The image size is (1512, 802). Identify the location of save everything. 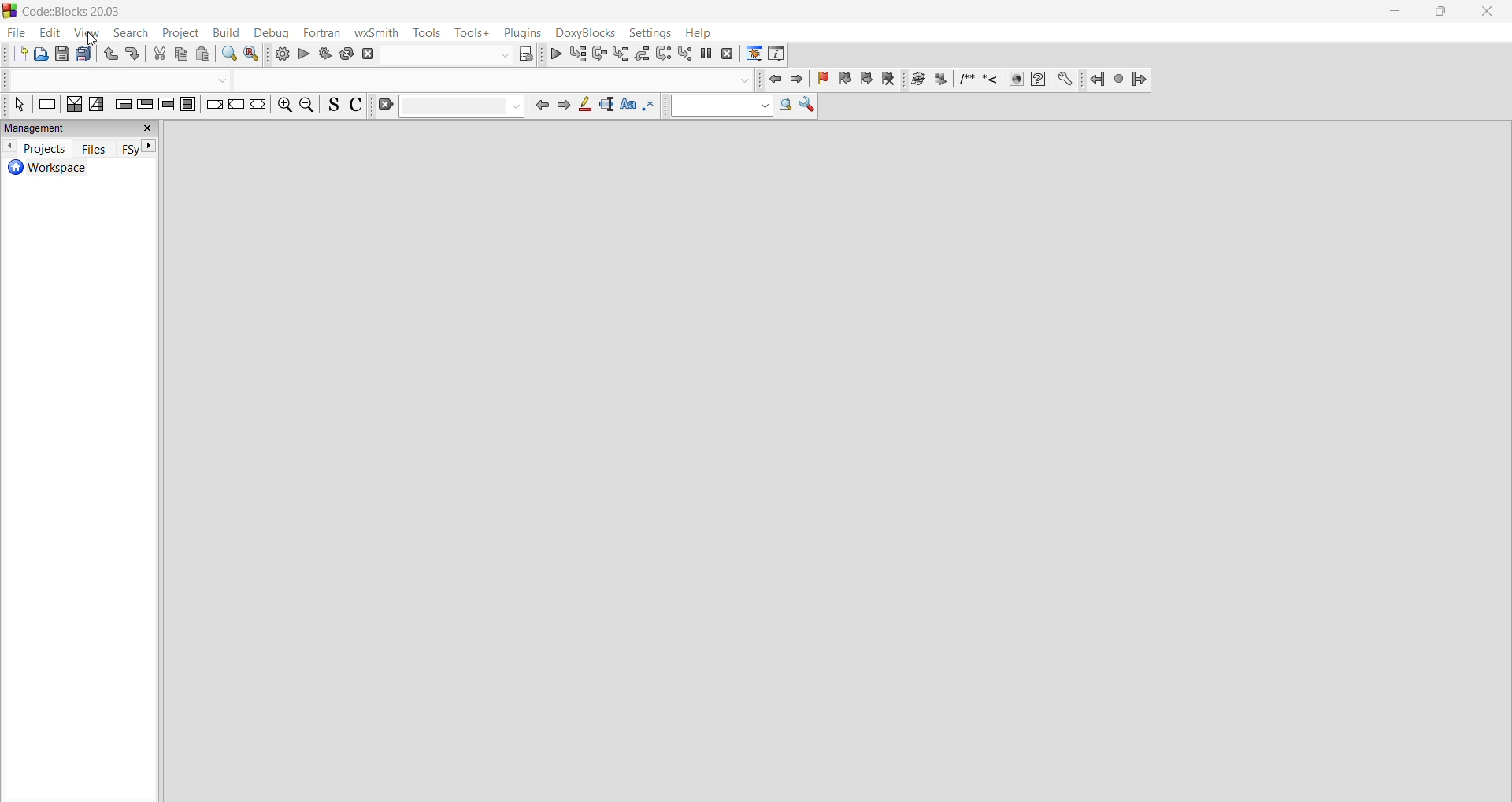
(82, 54).